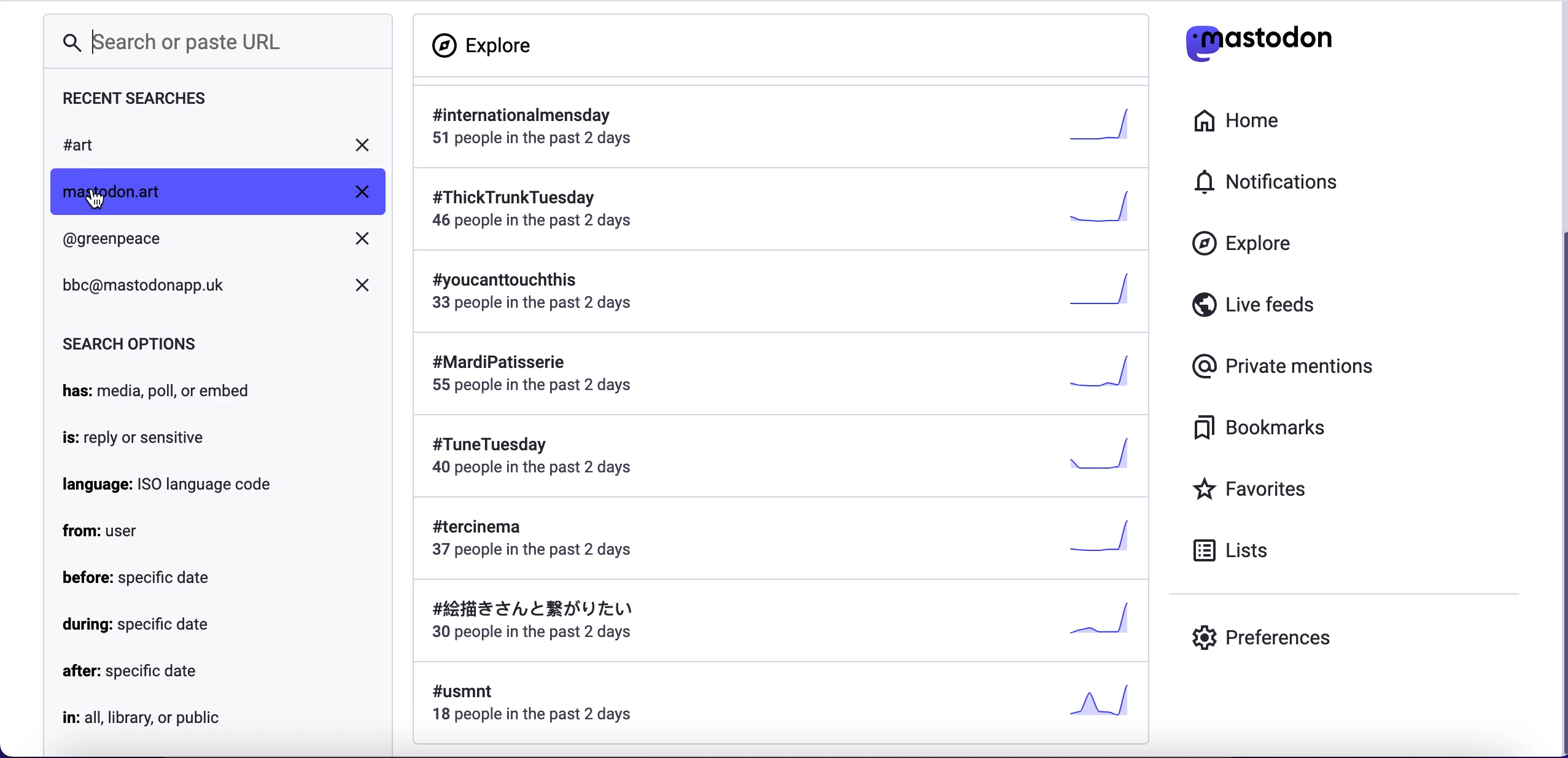  I want to click on #internationalmensday, so click(782, 127).